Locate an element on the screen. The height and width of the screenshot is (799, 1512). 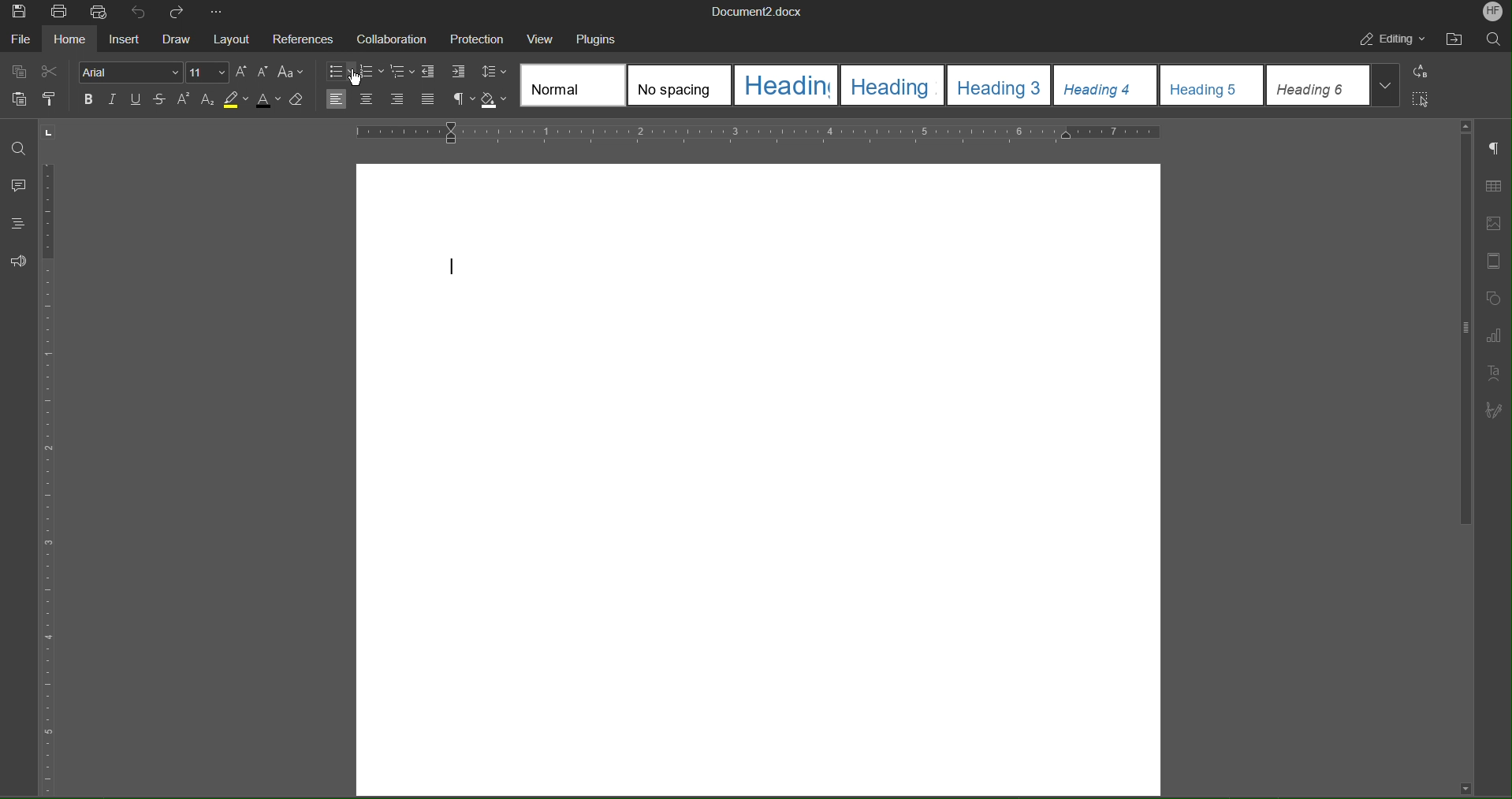
Search is located at coordinates (1493, 38).